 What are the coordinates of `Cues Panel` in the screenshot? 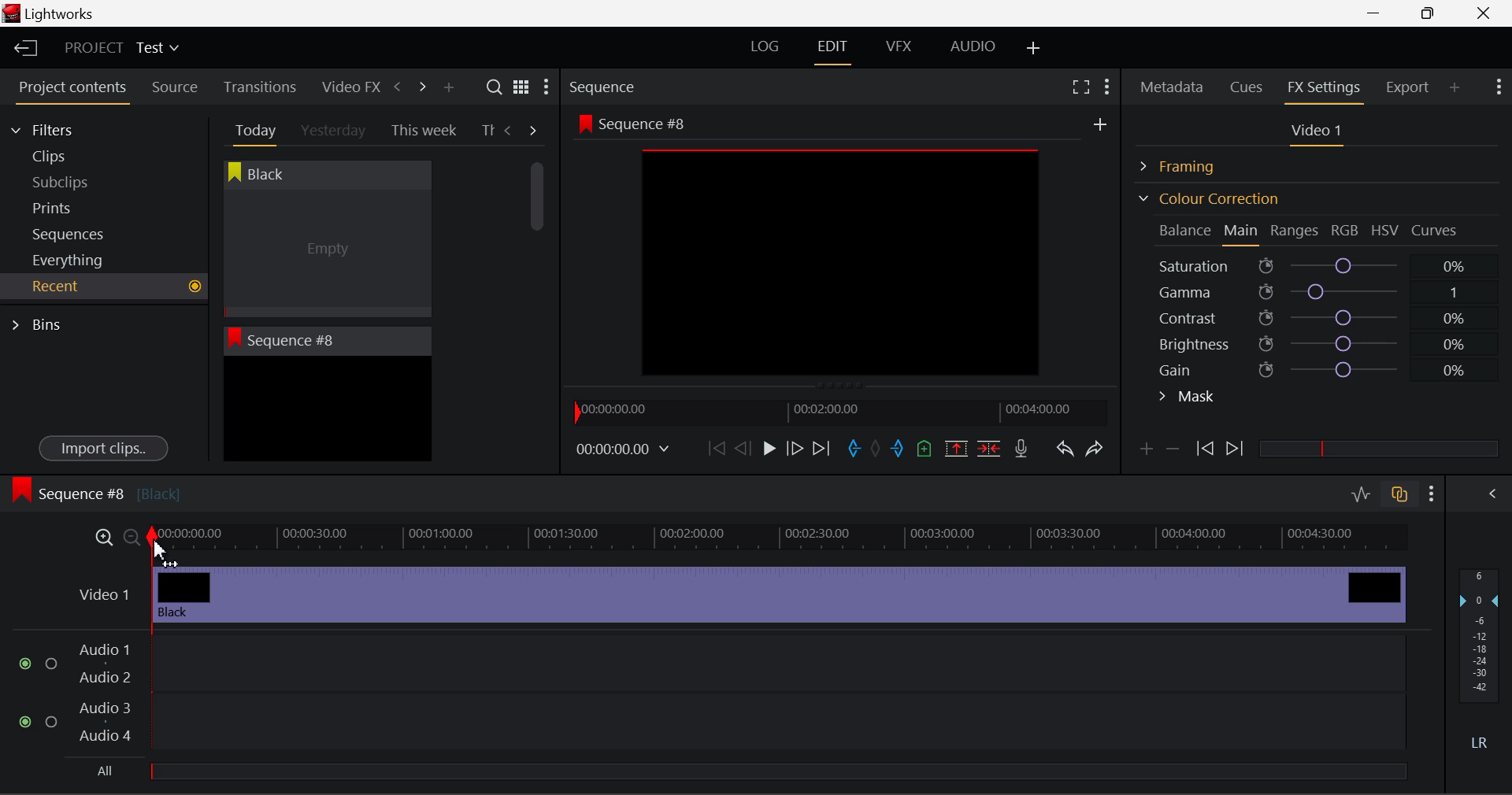 It's located at (1248, 85).